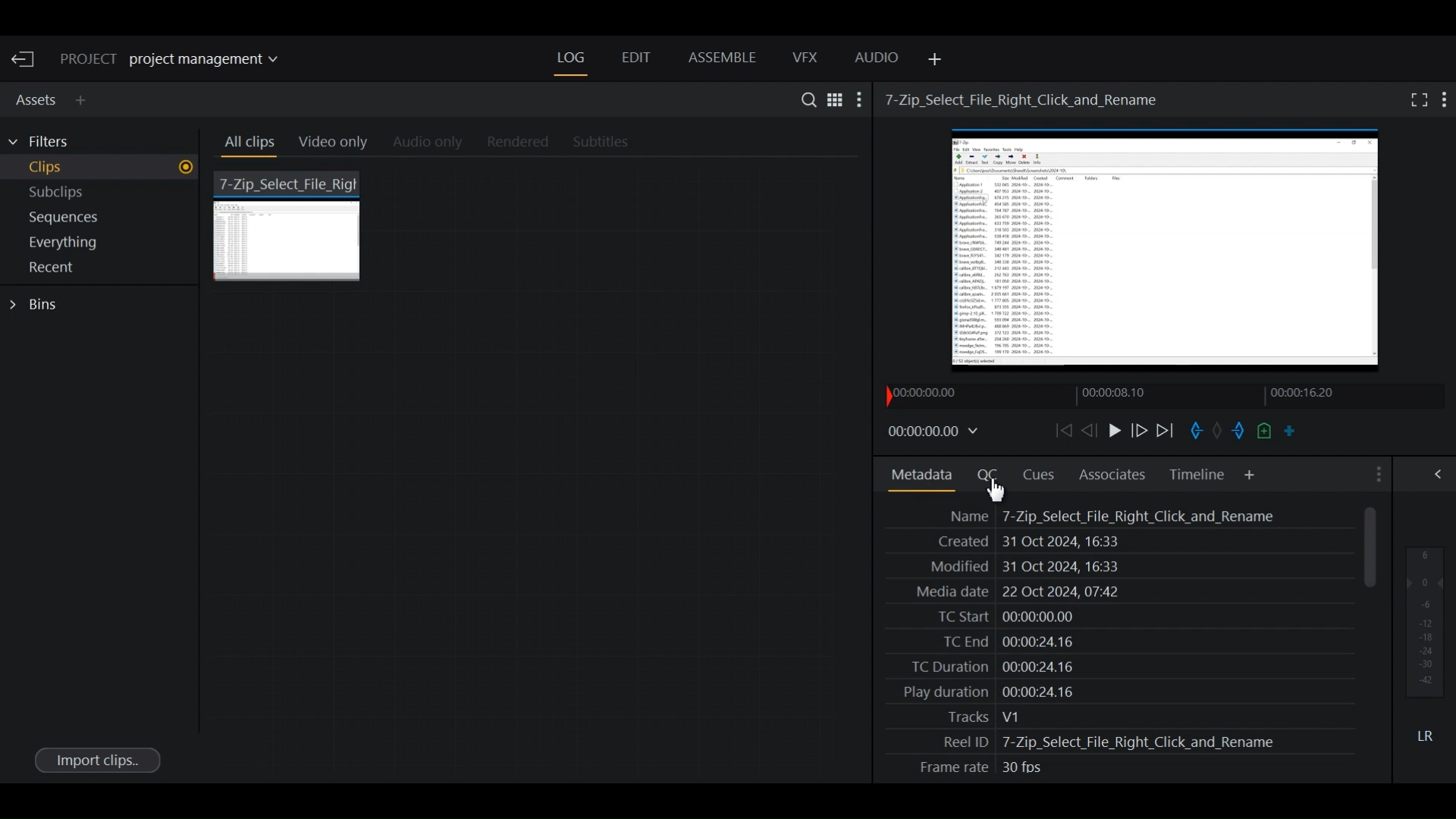  I want to click on Assemble, so click(722, 58).